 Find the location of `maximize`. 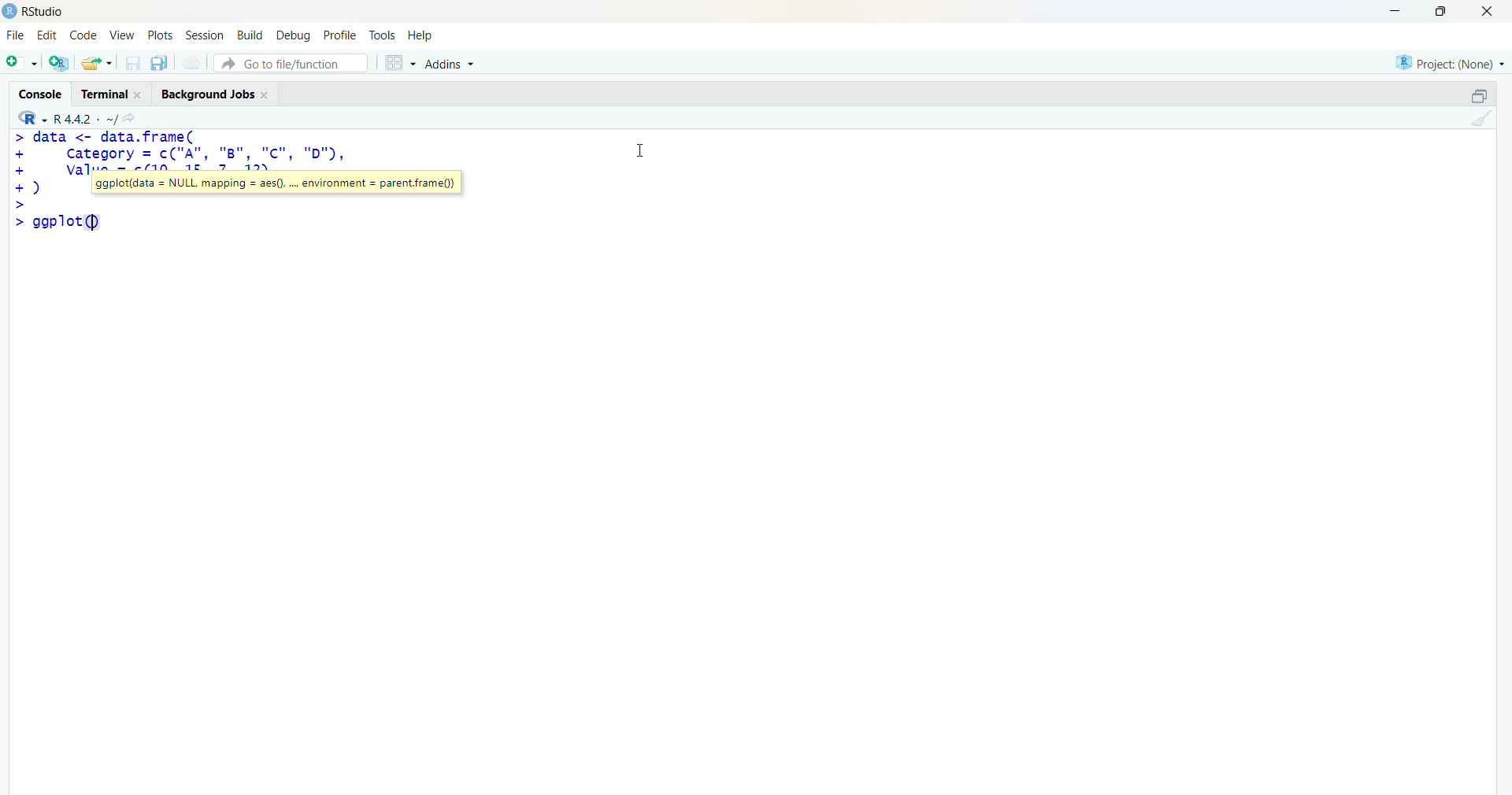

maximize is located at coordinates (1479, 96).